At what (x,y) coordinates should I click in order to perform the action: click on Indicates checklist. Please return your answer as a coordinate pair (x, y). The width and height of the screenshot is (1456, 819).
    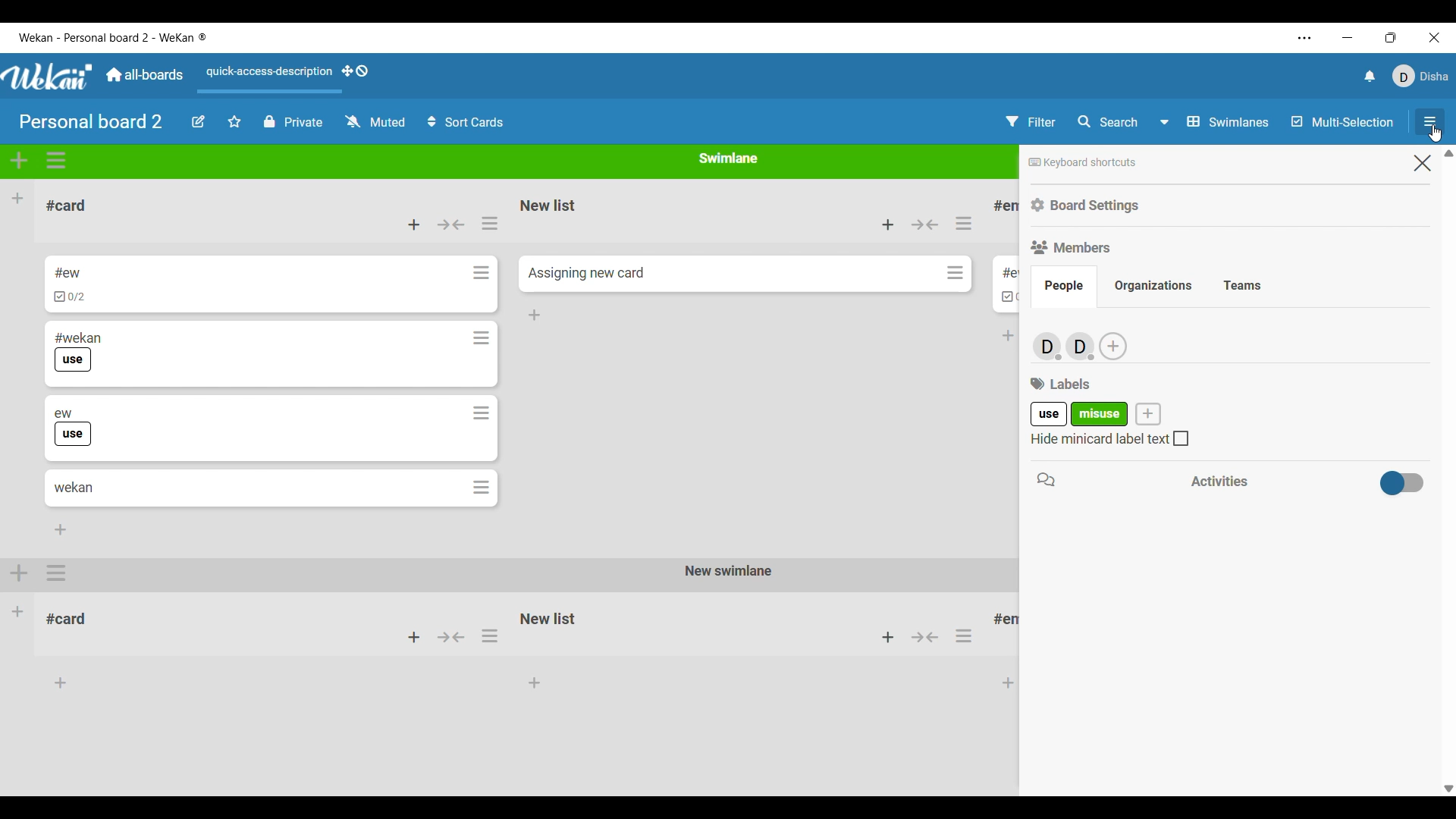
    Looking at the image, I should click on (1009, 297).